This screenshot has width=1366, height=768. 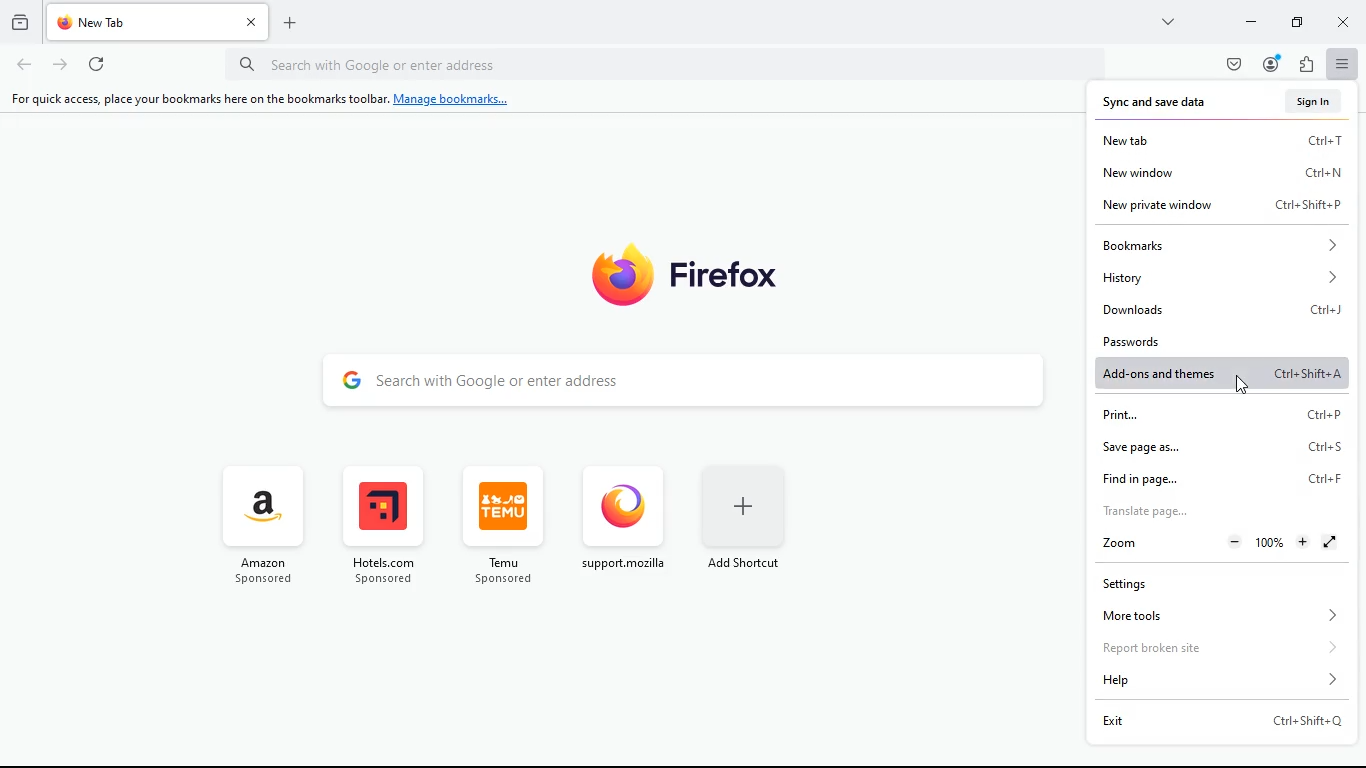 I want to click on archive, so click(x=18, y=25).